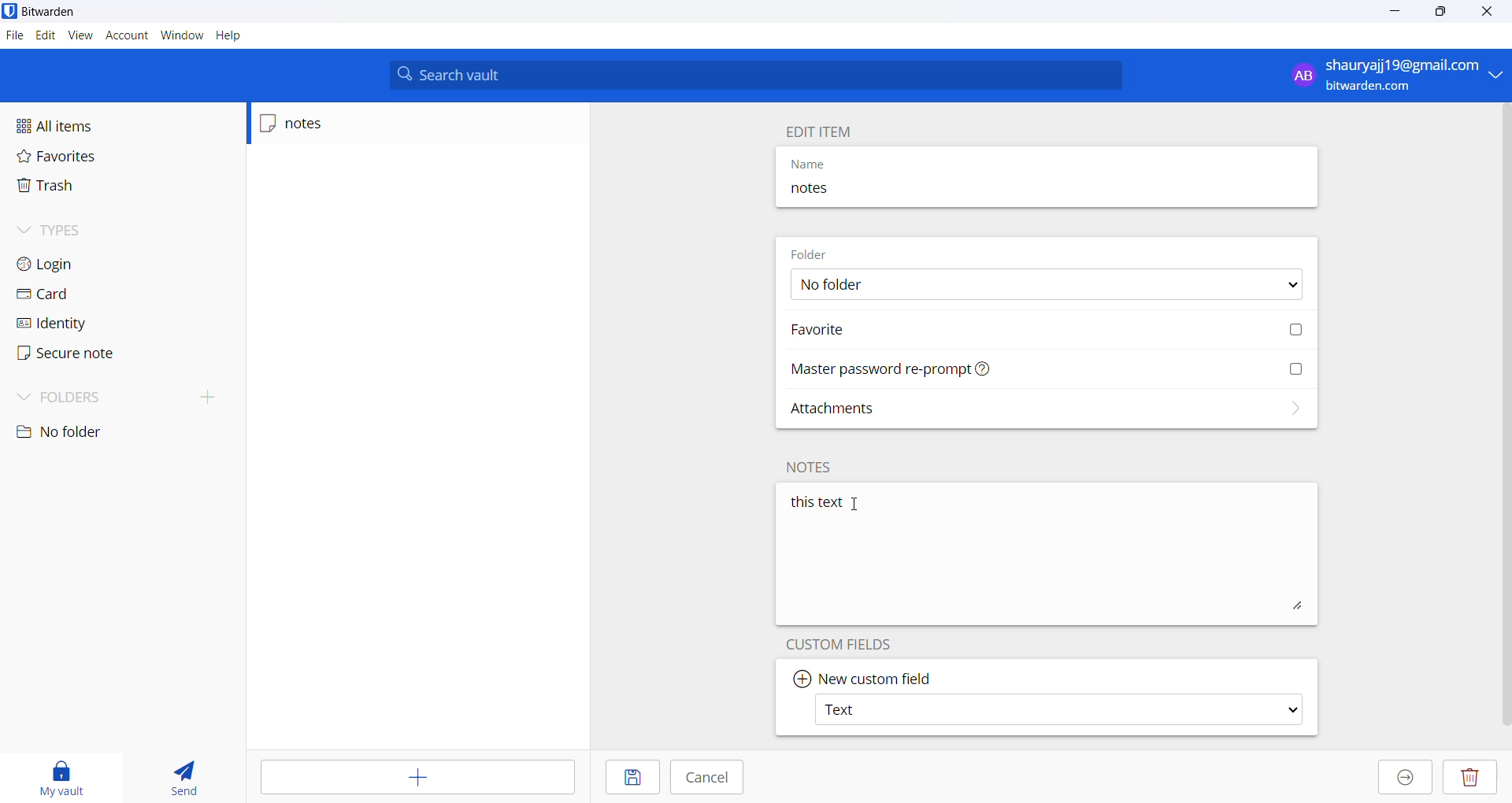  Describe the element at coordinates (812, 467) in the screenshot. I see `notes` at that location.